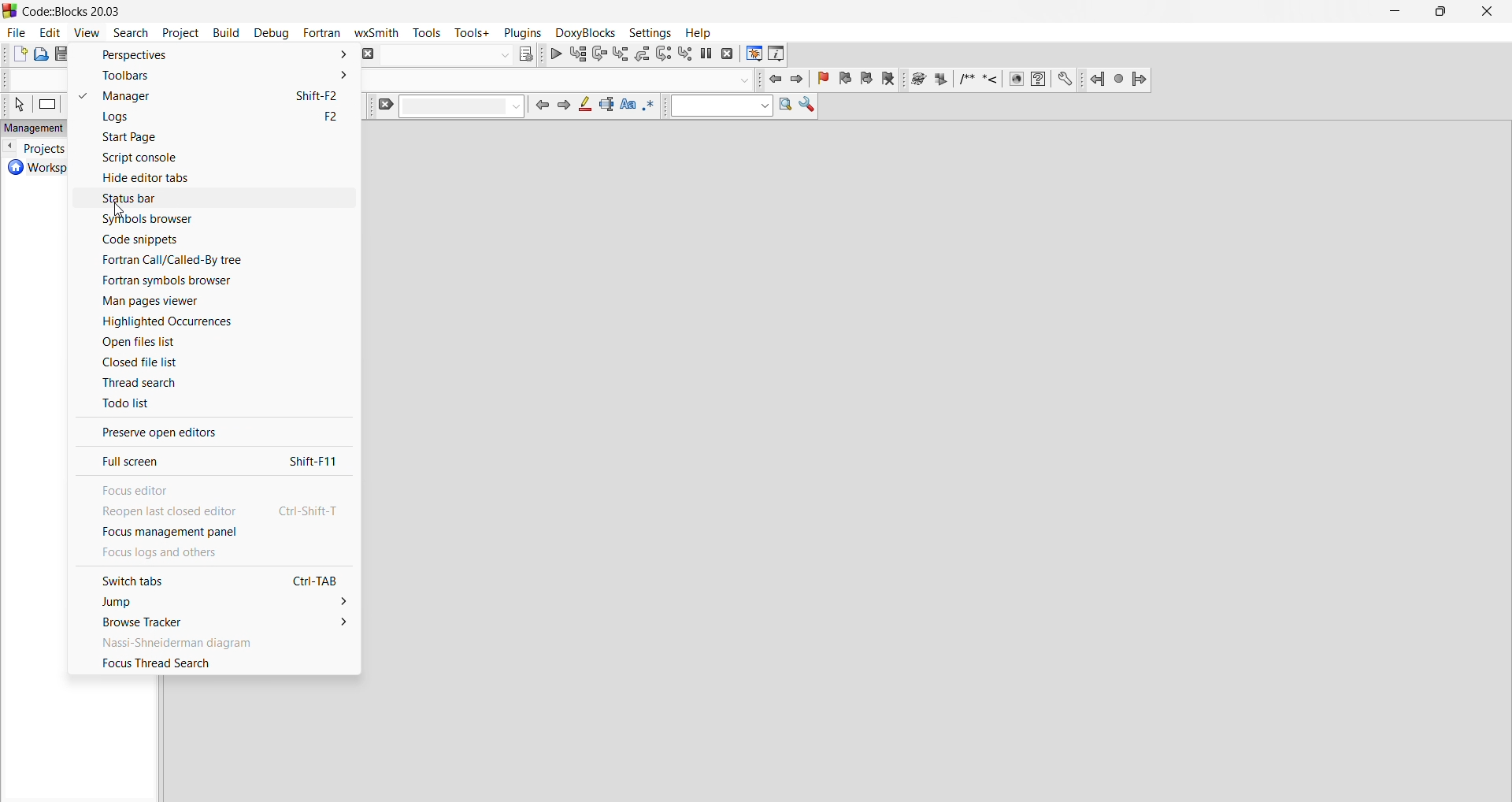 The height and width of the screenshot is (802, 1512). I want to click on Preferences, so click(1066, 80).